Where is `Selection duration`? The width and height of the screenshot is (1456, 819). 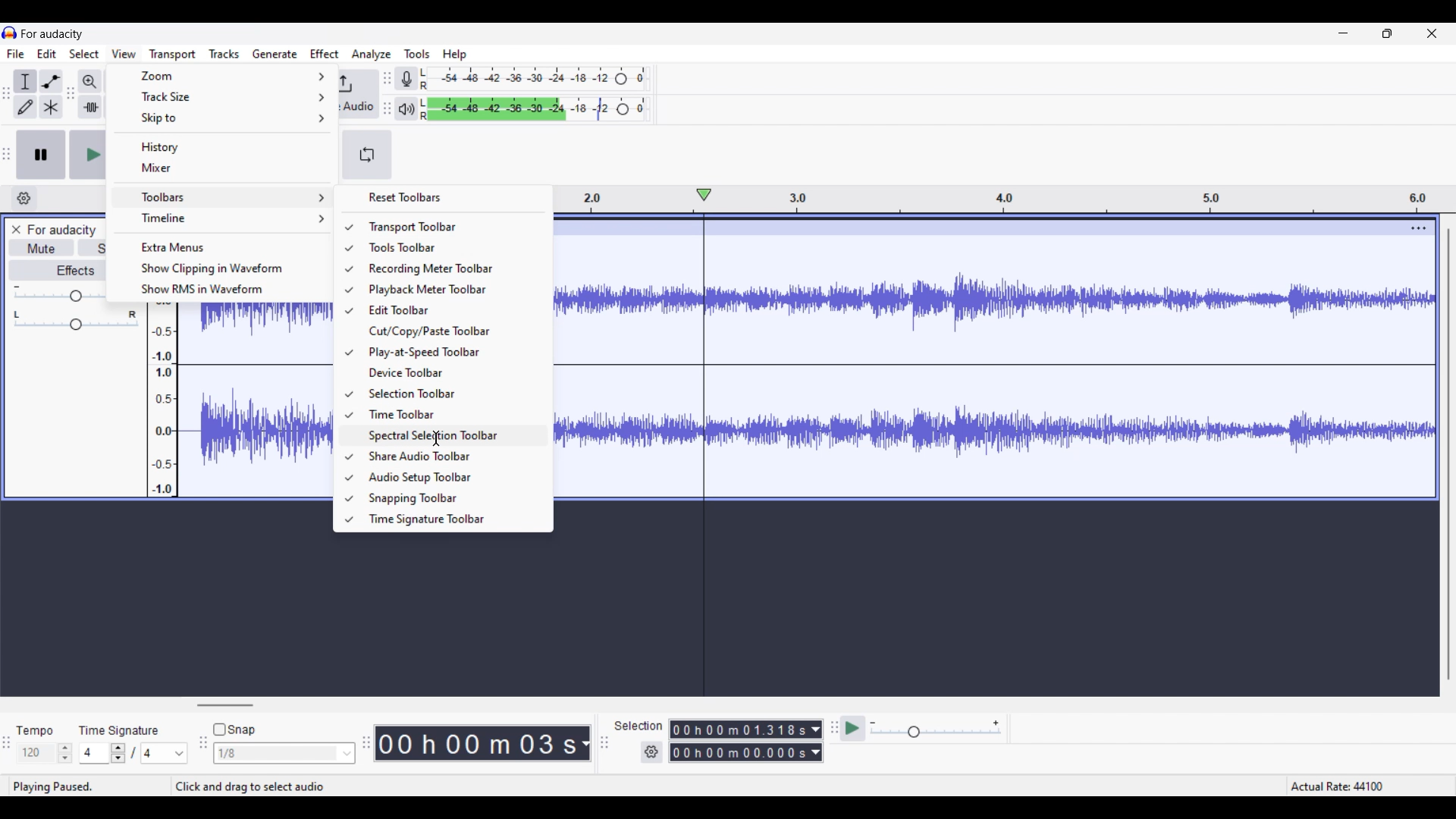 Selection duration is located at coordinates (739, 741).